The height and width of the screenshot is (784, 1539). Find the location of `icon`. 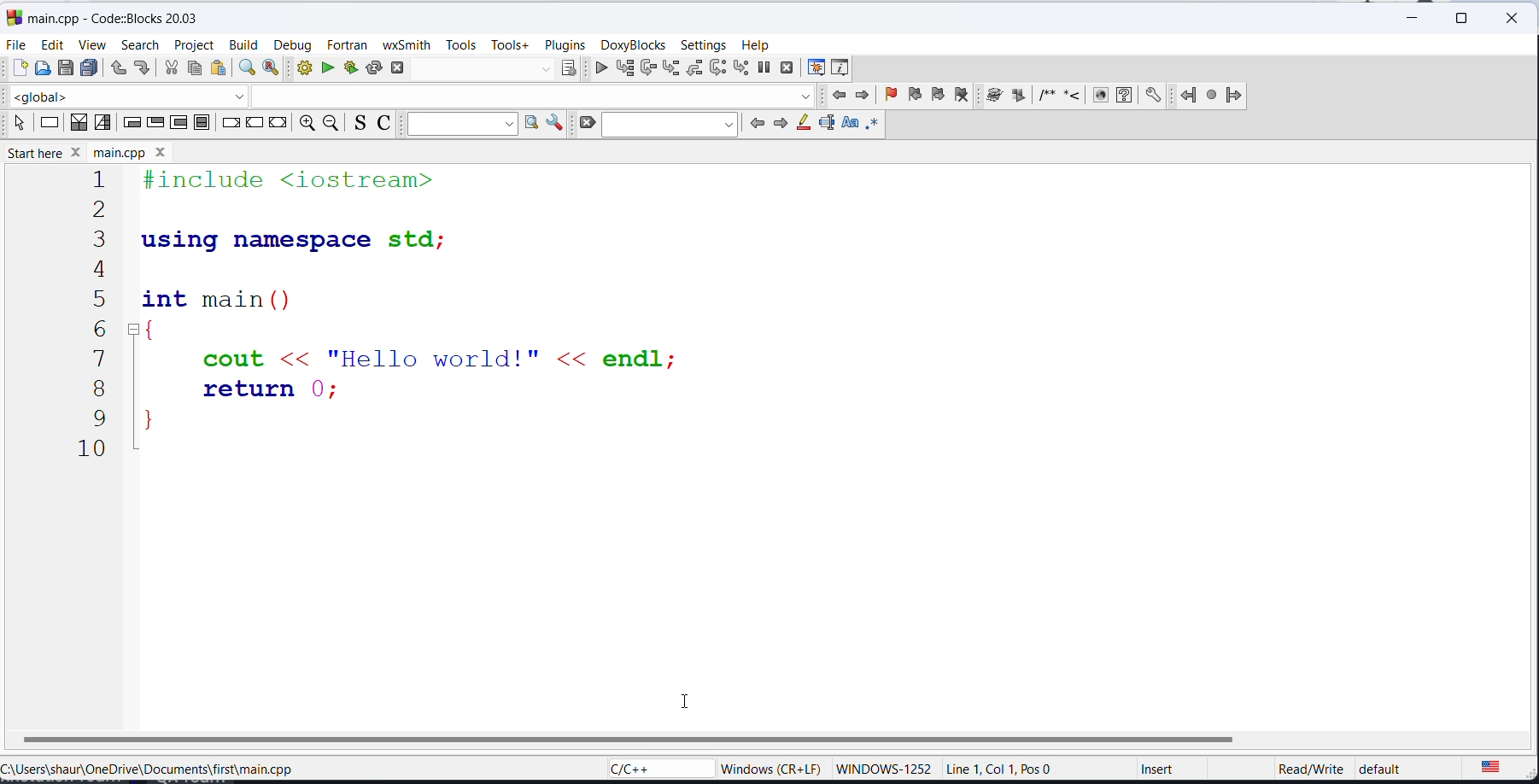

icon is located at coordinates (1041, 97).